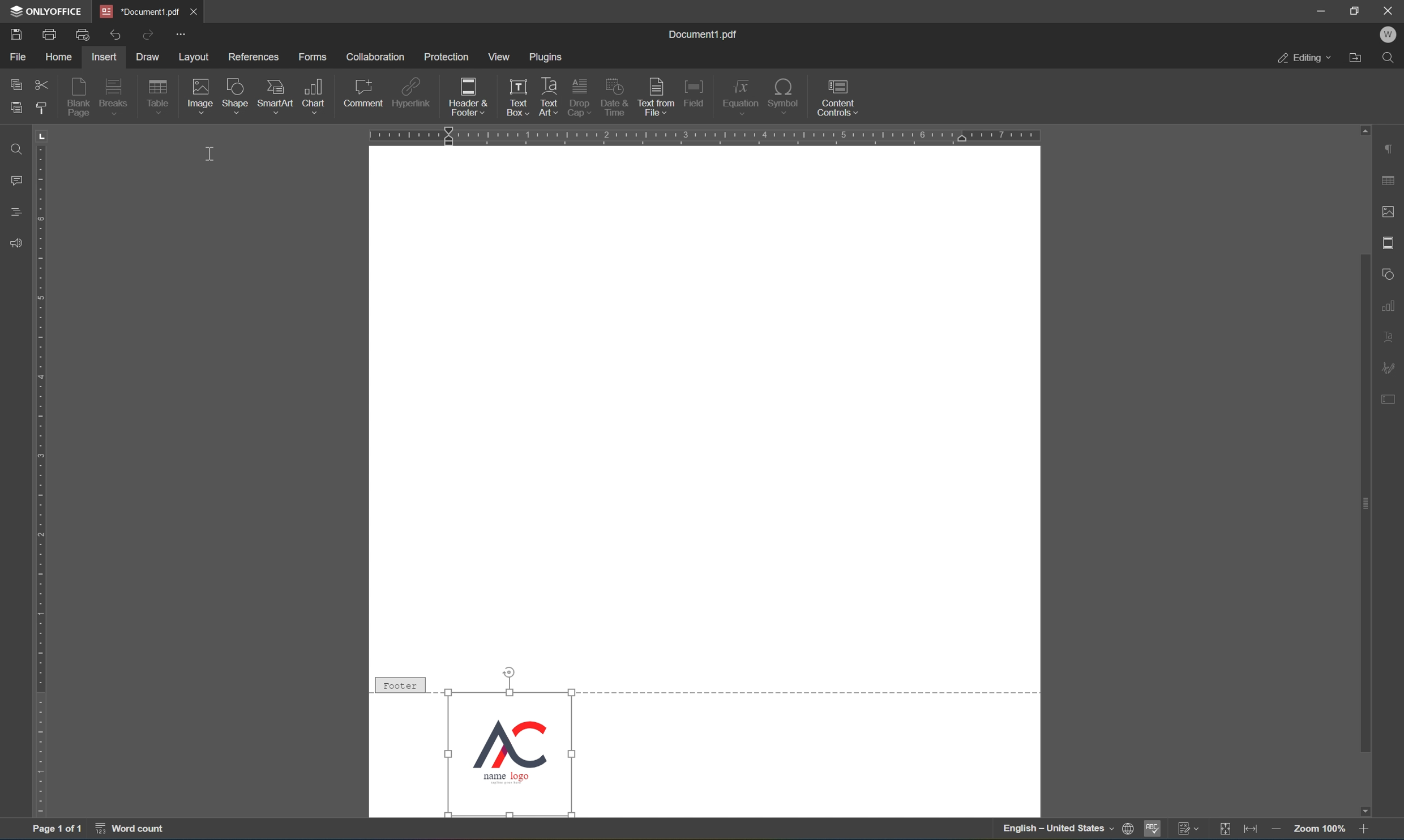 This screenshot has width=1404, height=840. I want to click on image, so click(197, 97).